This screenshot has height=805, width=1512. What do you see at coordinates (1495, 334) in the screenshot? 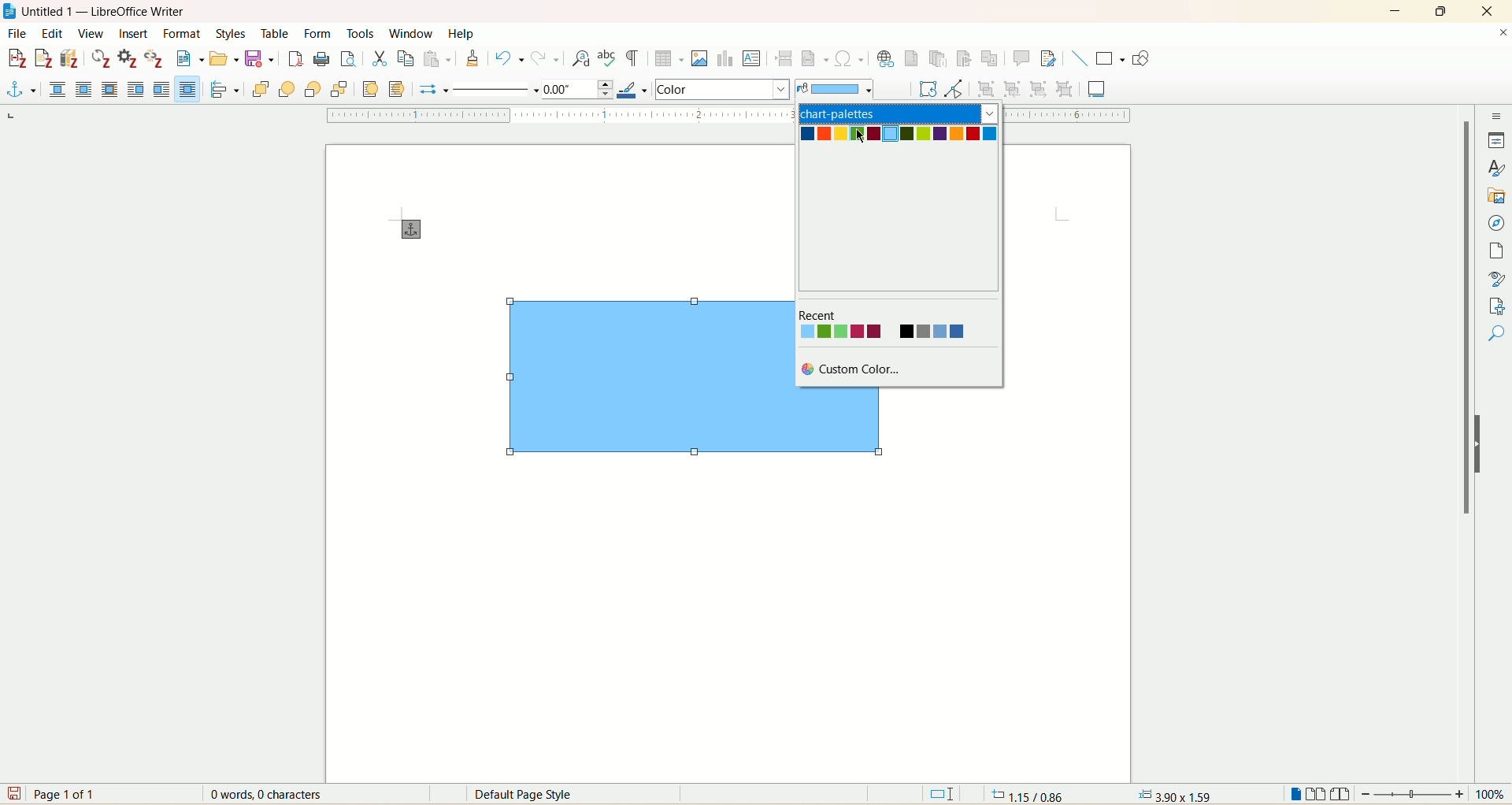
I see `accessibility check` at bounding box center [1495, 334].